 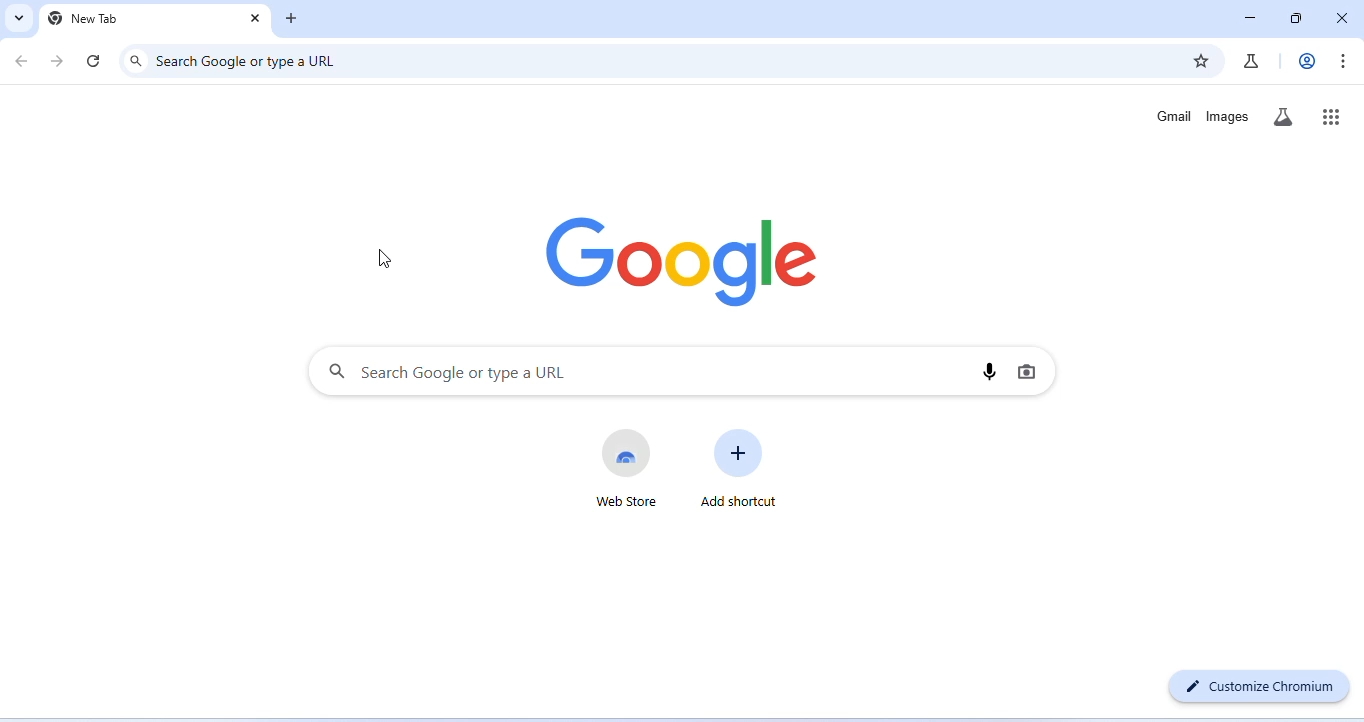 What do you see at coordinates (451, 372) in the screenshot?
I see `search google or type a URL` at bounding box center [451, 372].